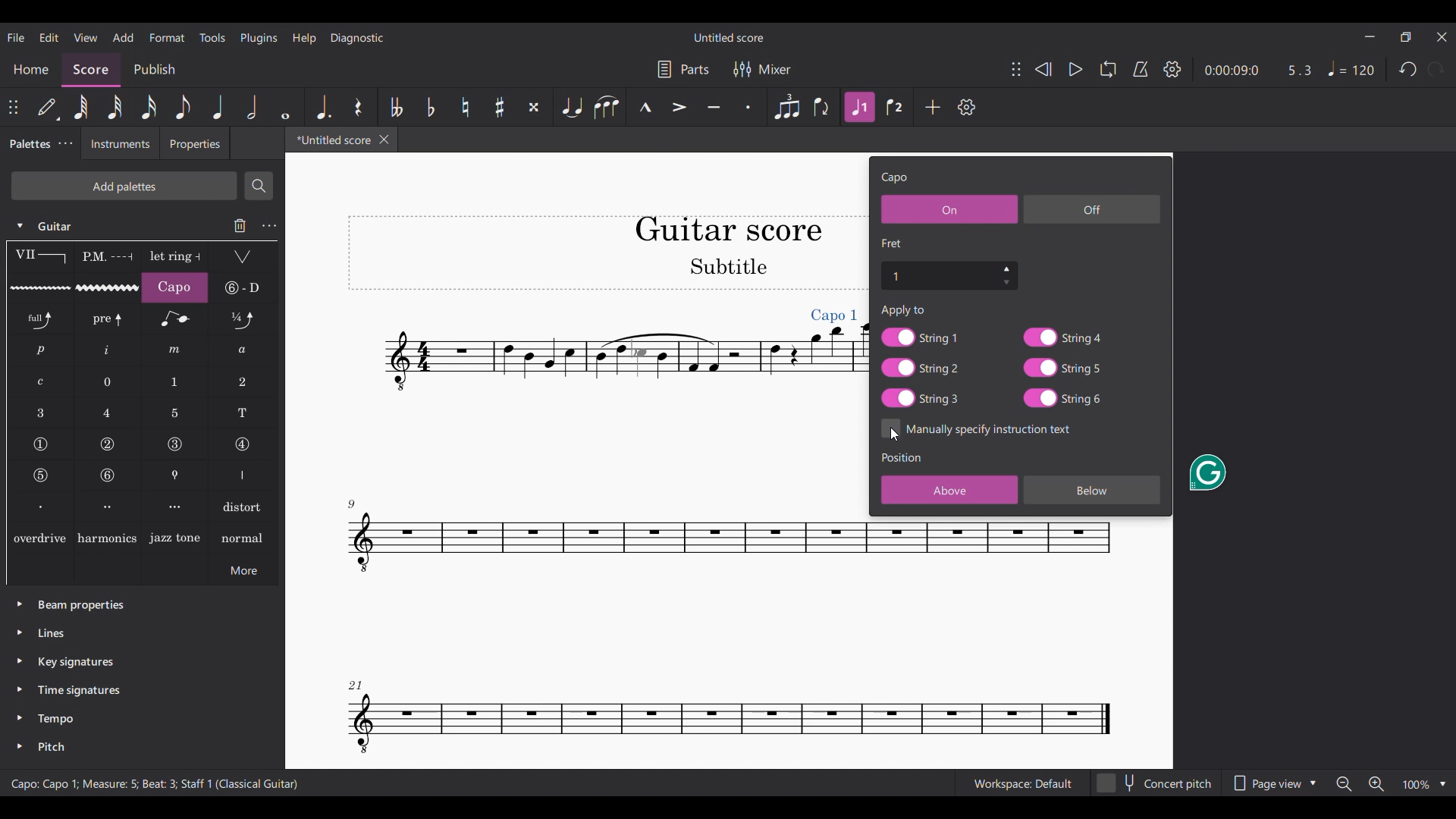 The width and height of the screenshot is (1456, 819). I want to click on Add palette, so click(124, 186).